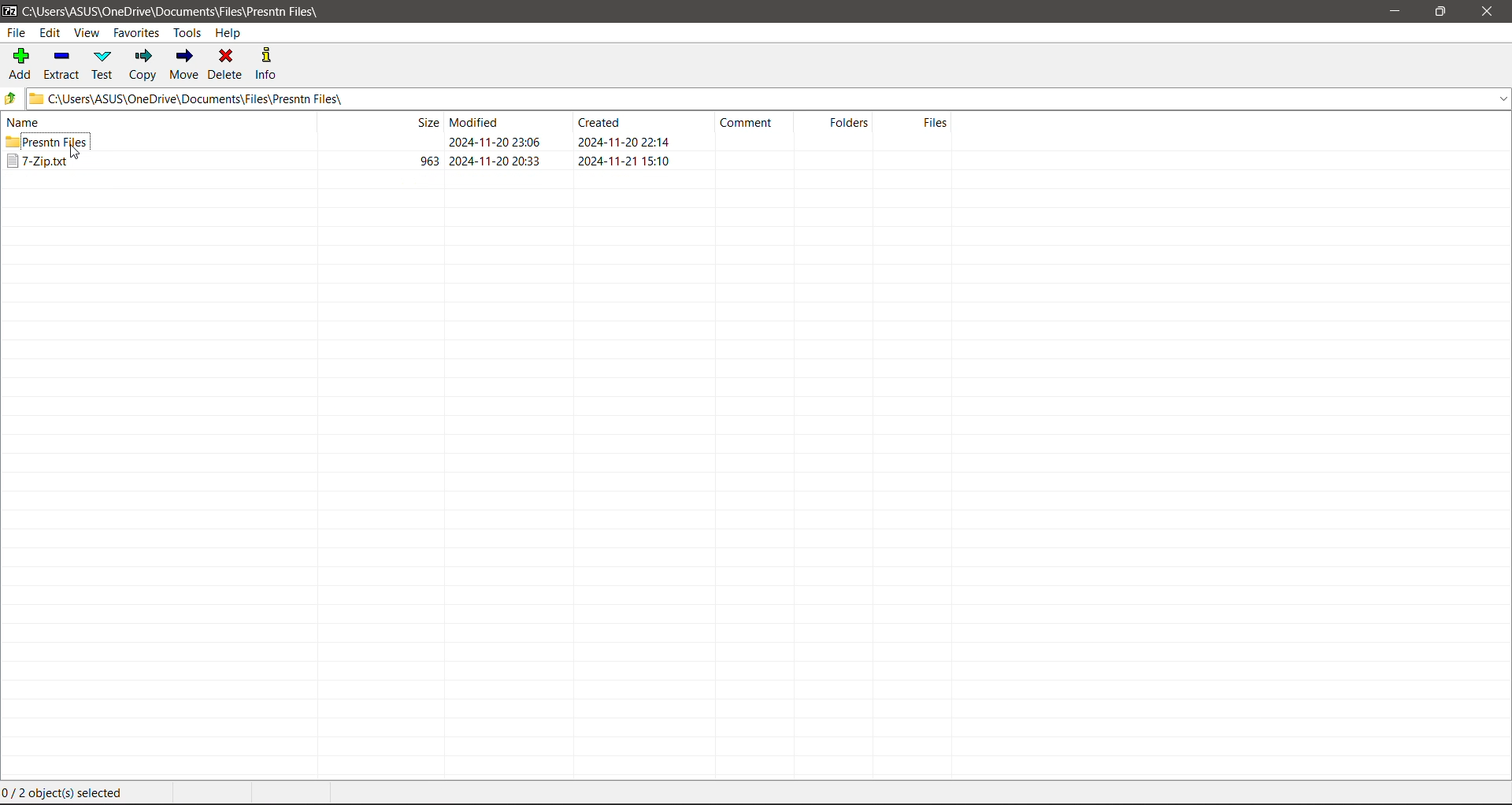 The image size is (1512, 805). What do you see at coordinates (267, 62) in the screenshot?
I see `Info` at bounding box center [267, 62].